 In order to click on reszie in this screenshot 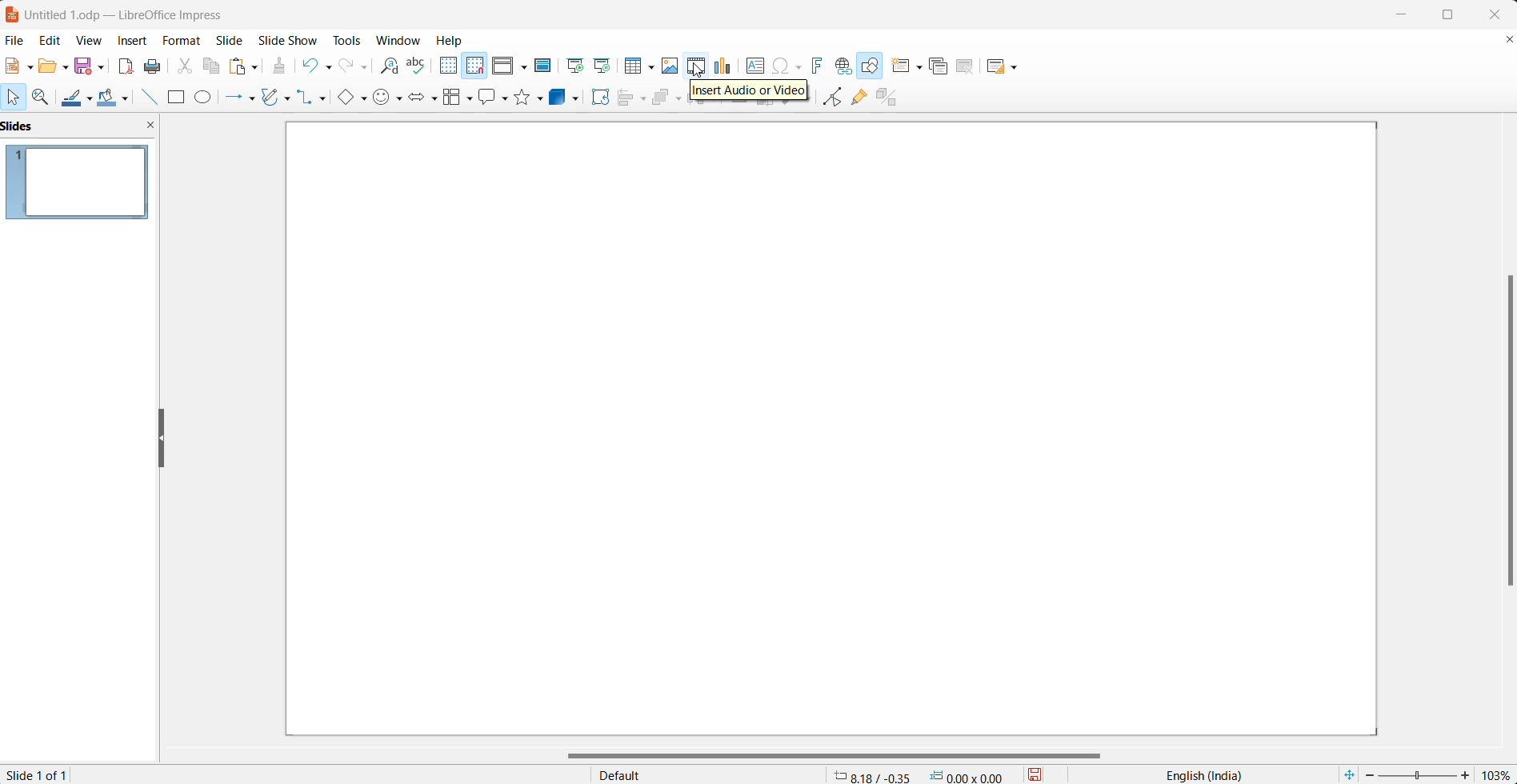, I will do `click(162, 434)`.